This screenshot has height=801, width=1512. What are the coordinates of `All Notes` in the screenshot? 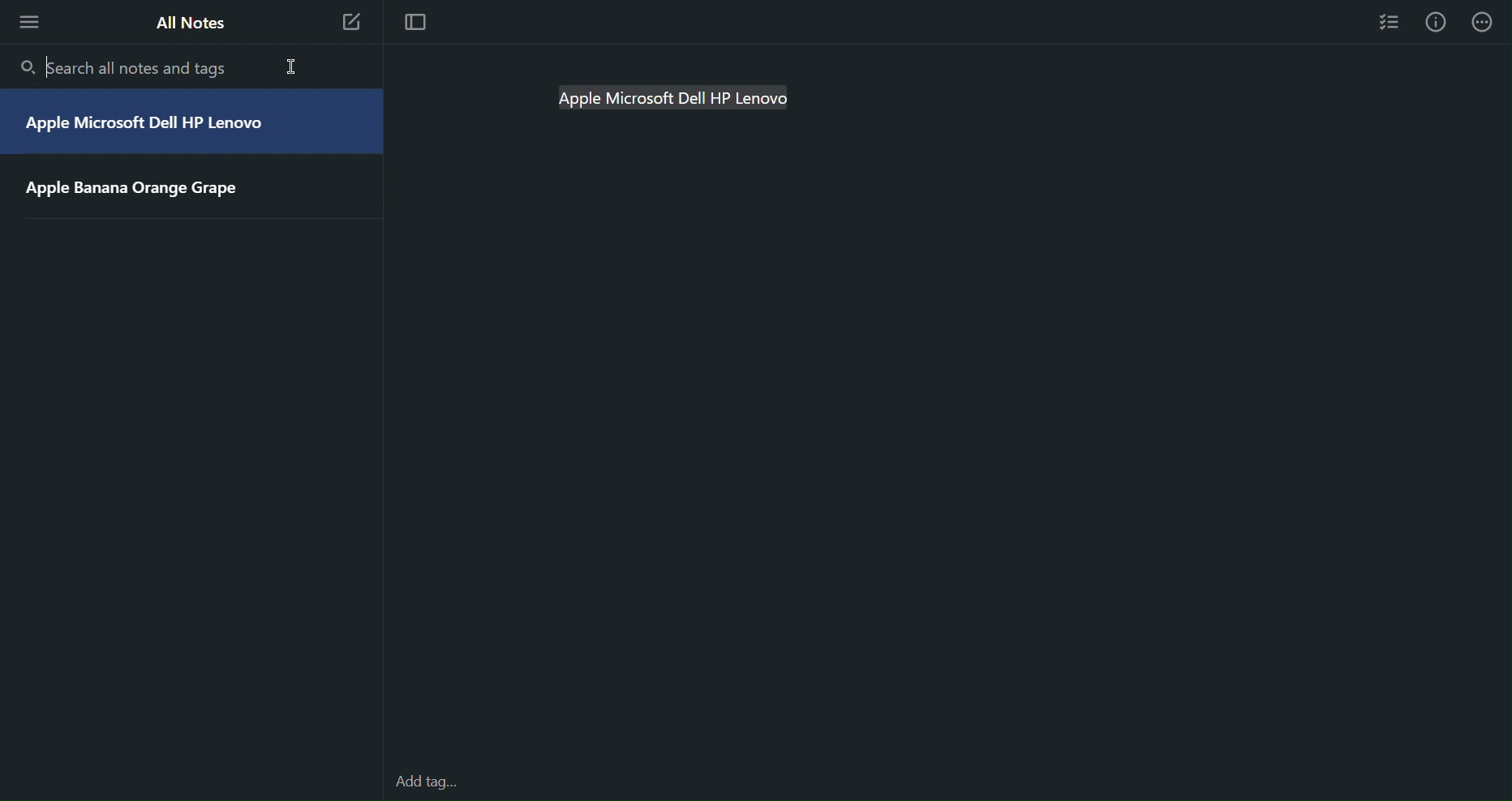 It's located at (190, 26).